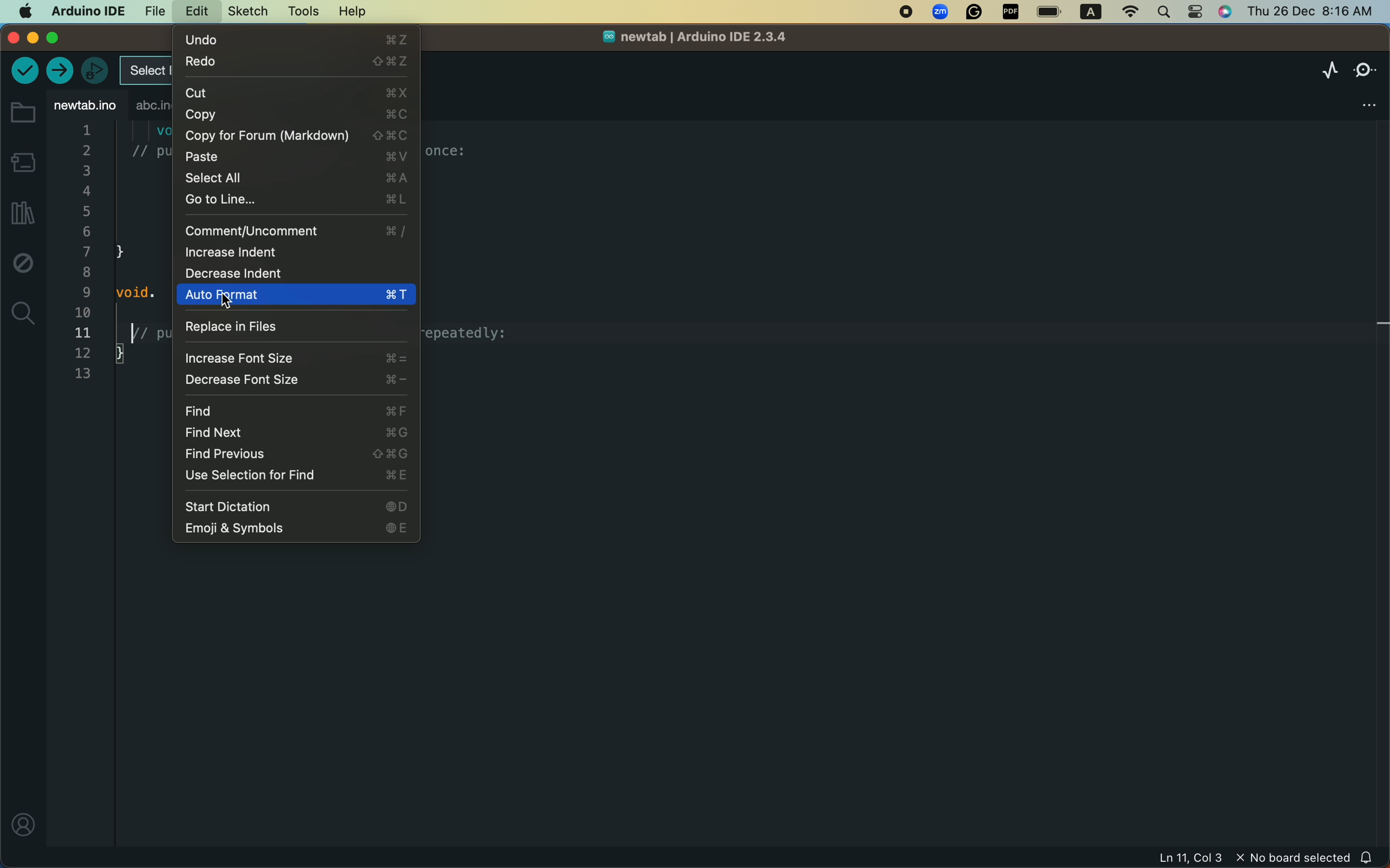 The width and height of the screenshot is (1390, 868). I want to click on sketch, so click(244, 12).